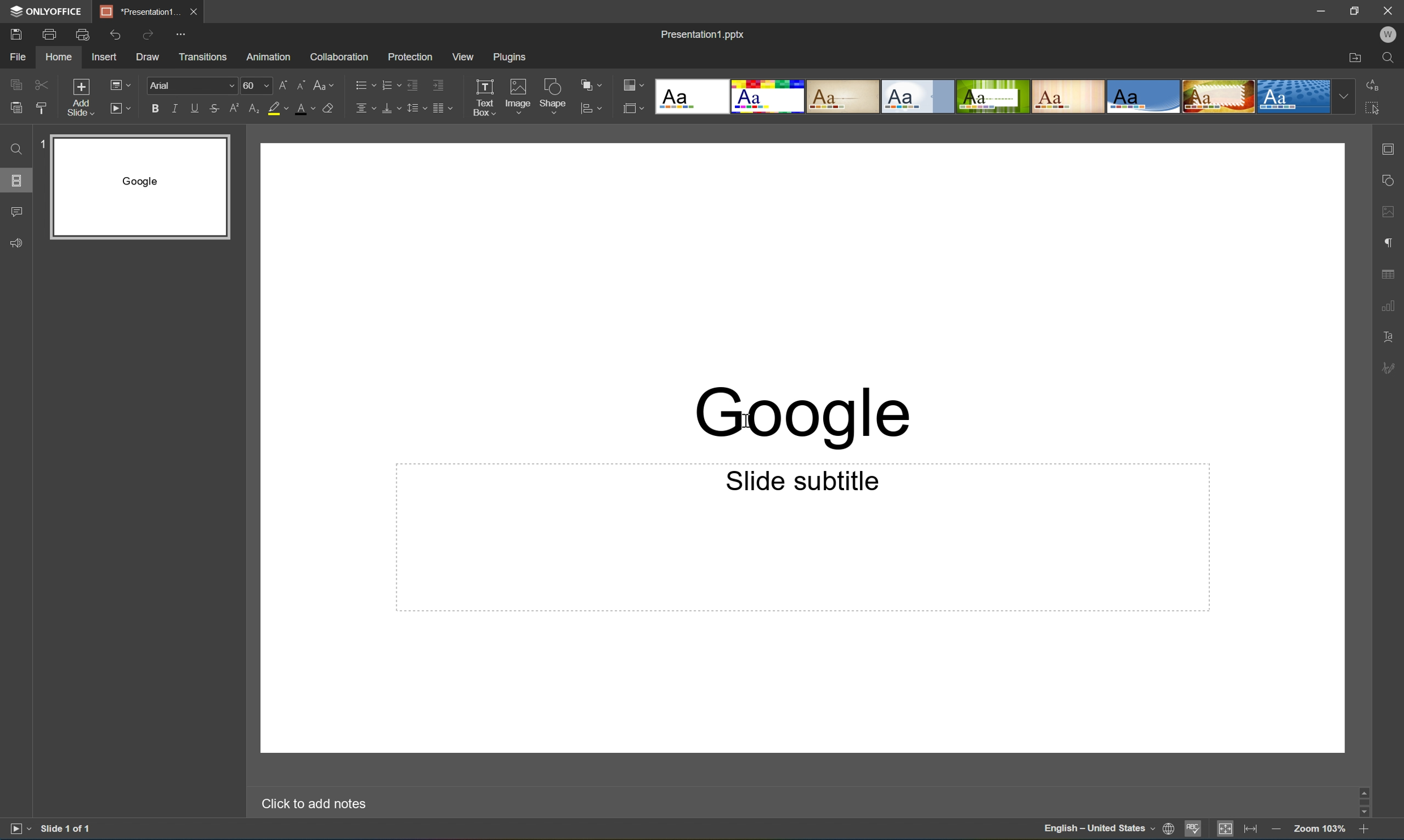 Image resolution: width=1404 pixels, height=840 pixels. Describe the element at coordinates (1372, 109) in the screenshot. I see `Select all` at that location.